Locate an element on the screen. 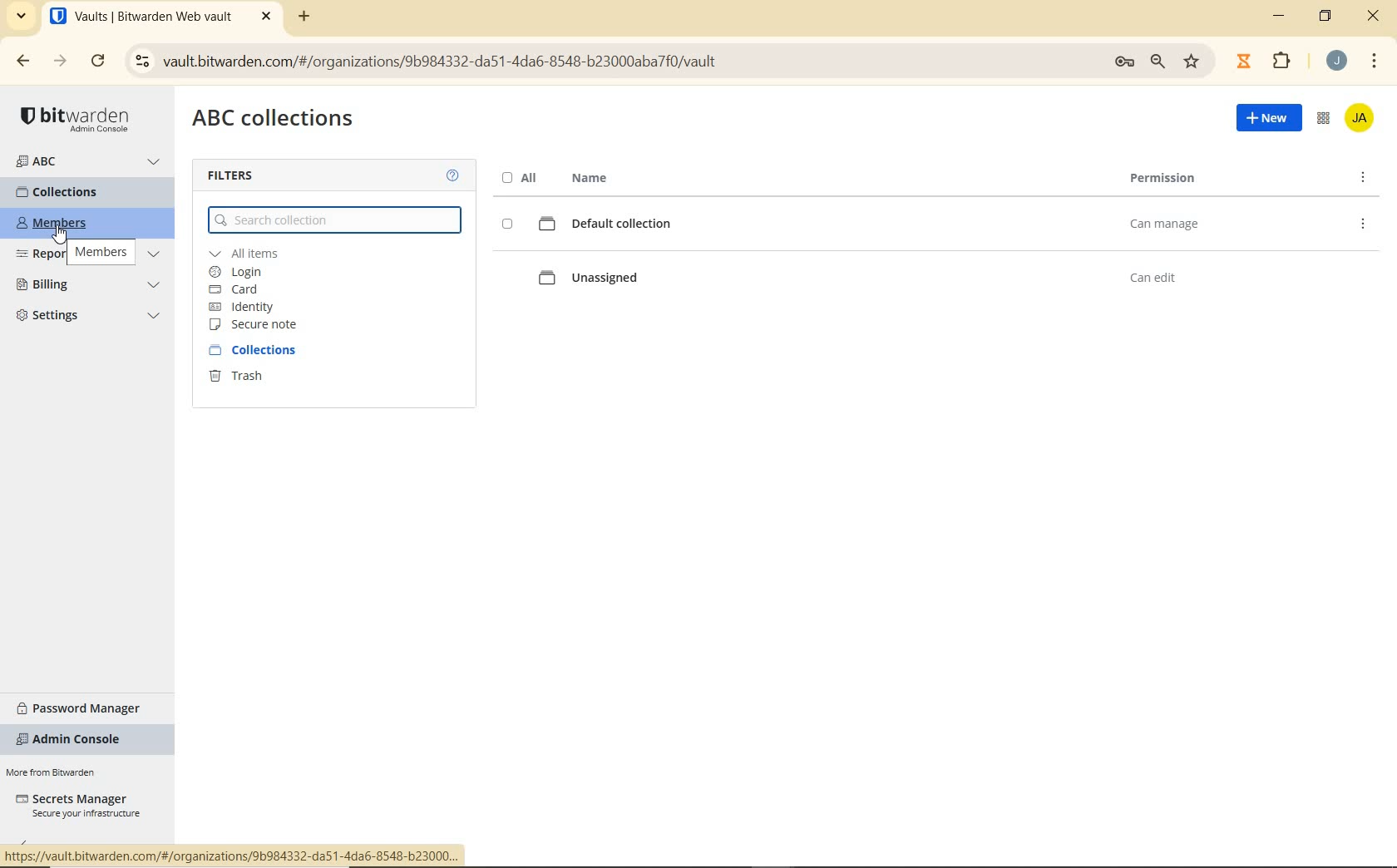 Image resolution: width=1397 pixels, height=868 pixels. IDENTITY is located at coordinates (246, 306).